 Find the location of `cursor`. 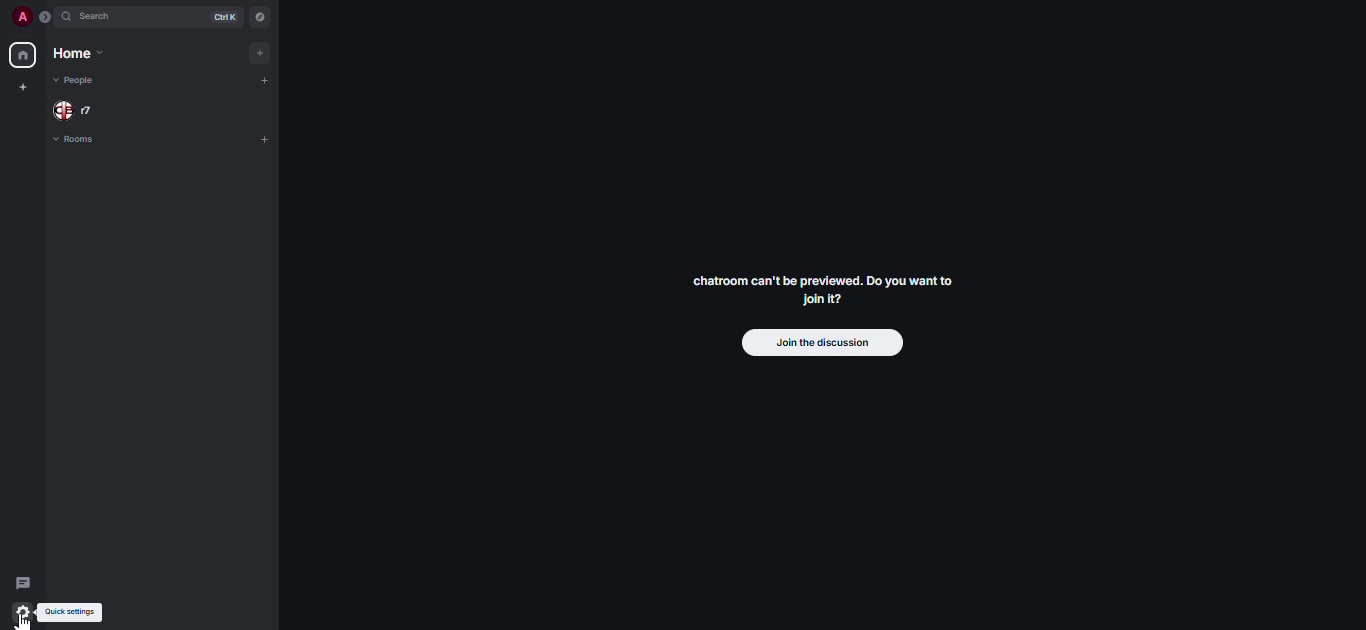

cursor is located at coordinates (17, 623).